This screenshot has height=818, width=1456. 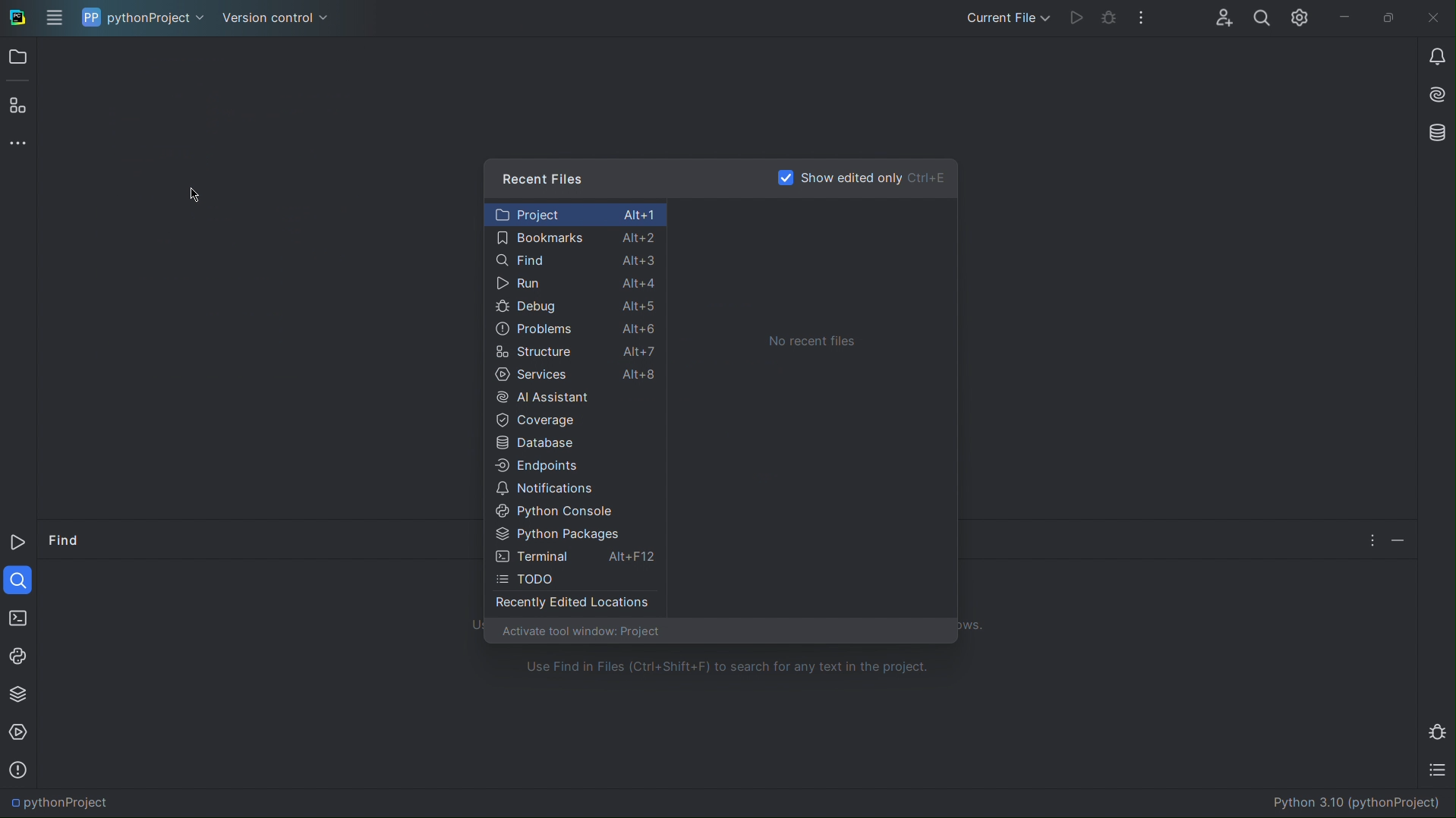 What do you see at coordinates (29, 18) in the screenshot?
I see `Logo` at bounding box center [29, 18].